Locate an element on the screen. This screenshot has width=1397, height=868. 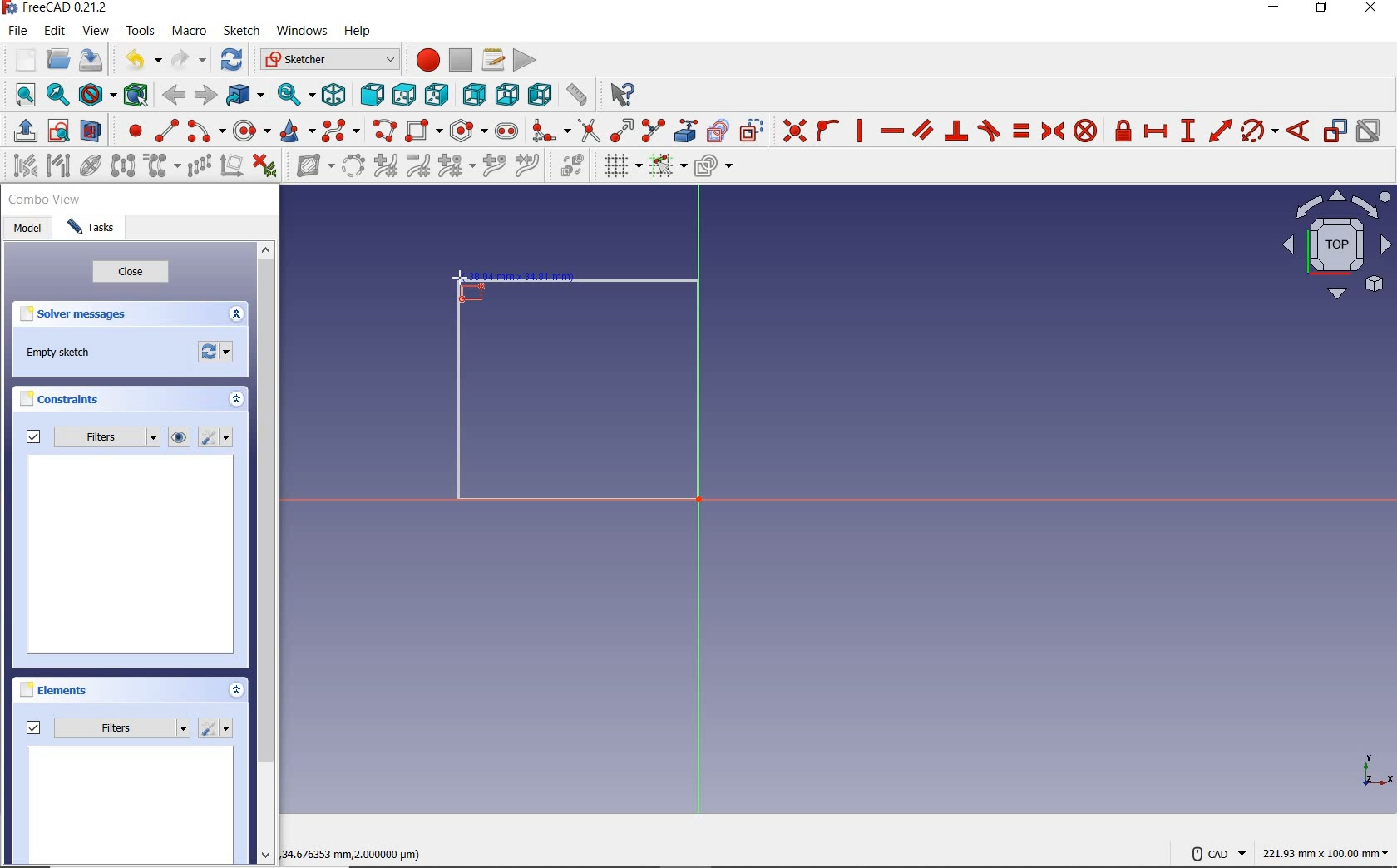
help is located at coordinates (360, 33).